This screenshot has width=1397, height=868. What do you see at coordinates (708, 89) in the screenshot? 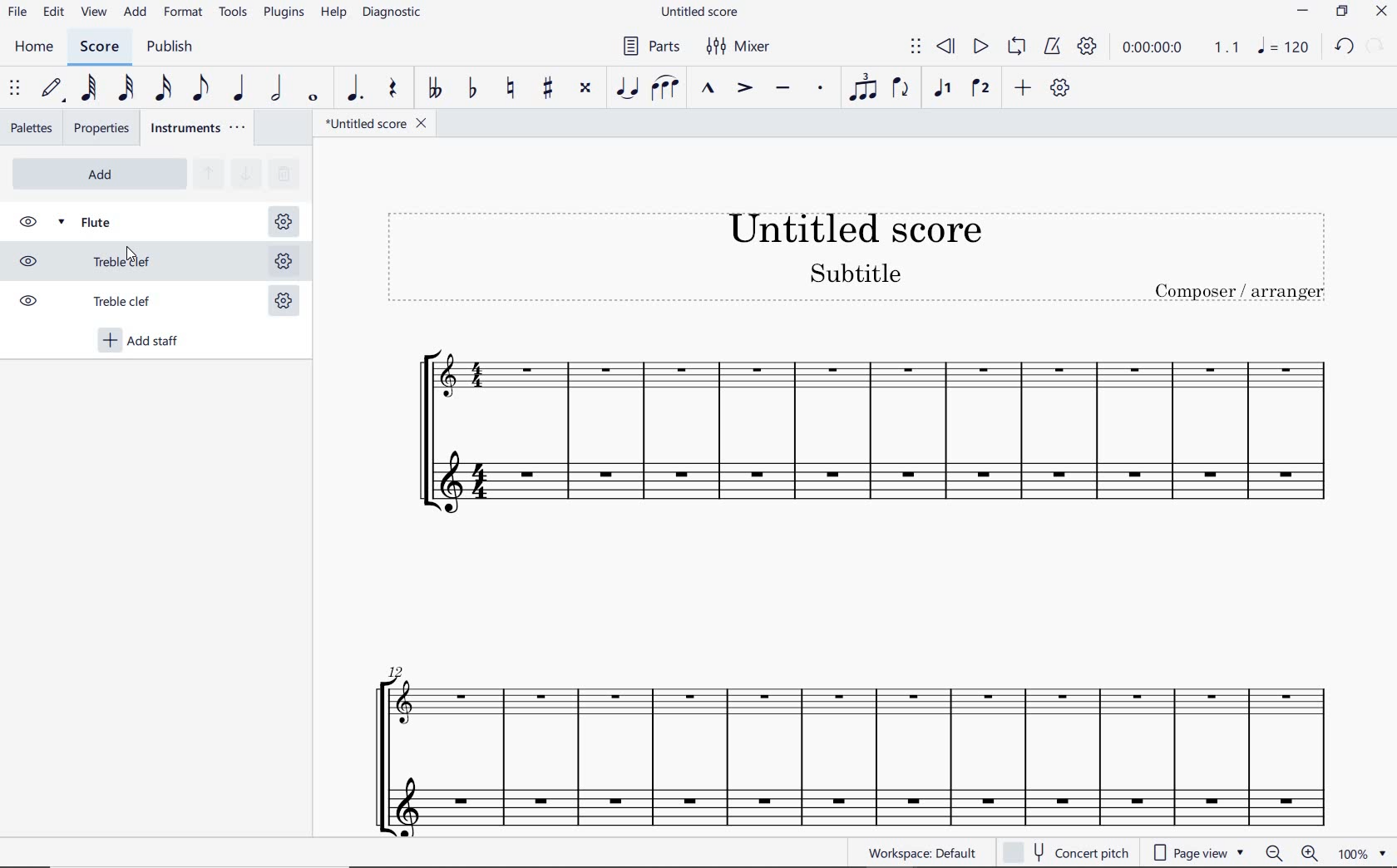
I see `MARCATO` at bounding box center [708, 89].